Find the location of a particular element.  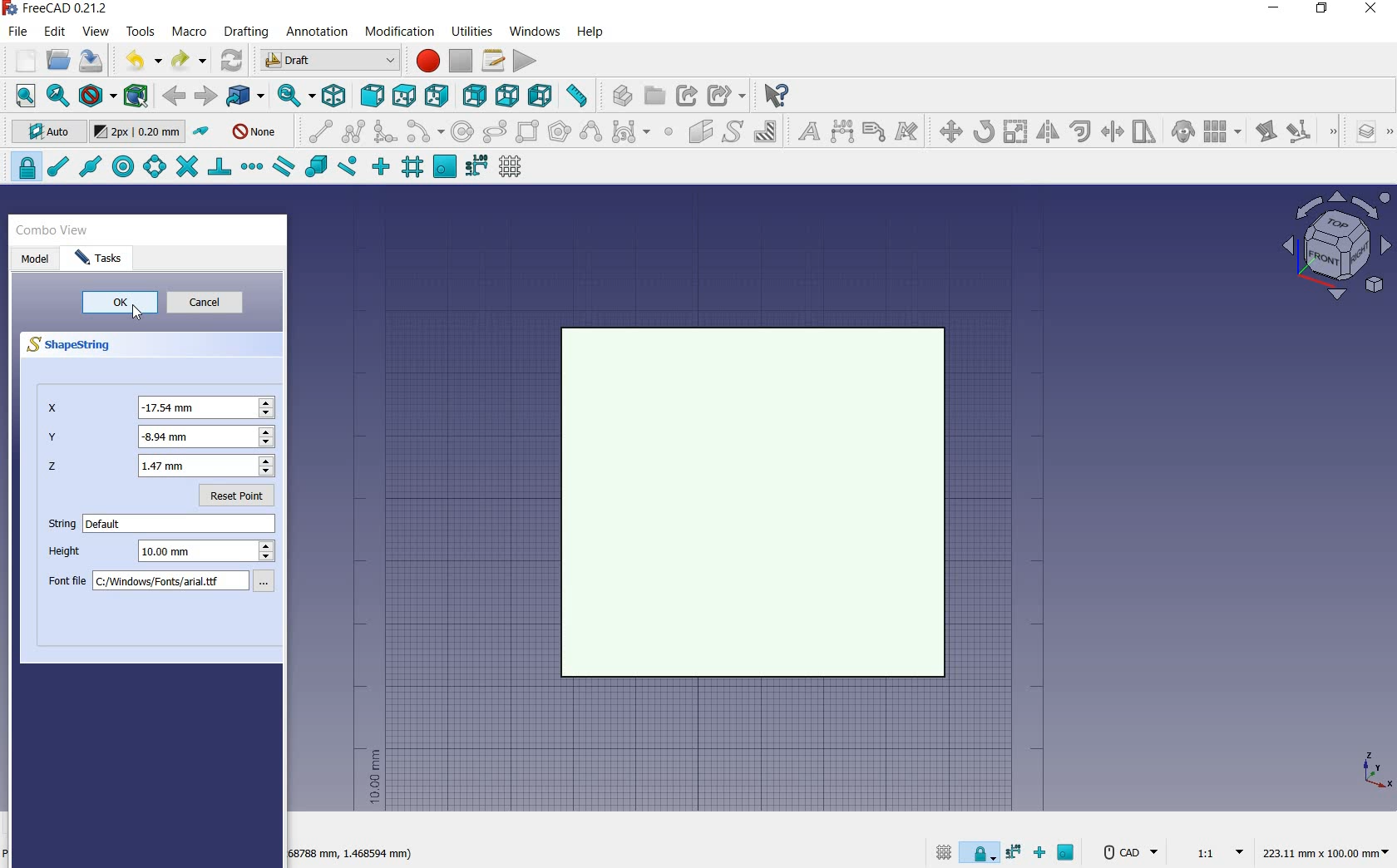

front is located at coordinates (369, 96).